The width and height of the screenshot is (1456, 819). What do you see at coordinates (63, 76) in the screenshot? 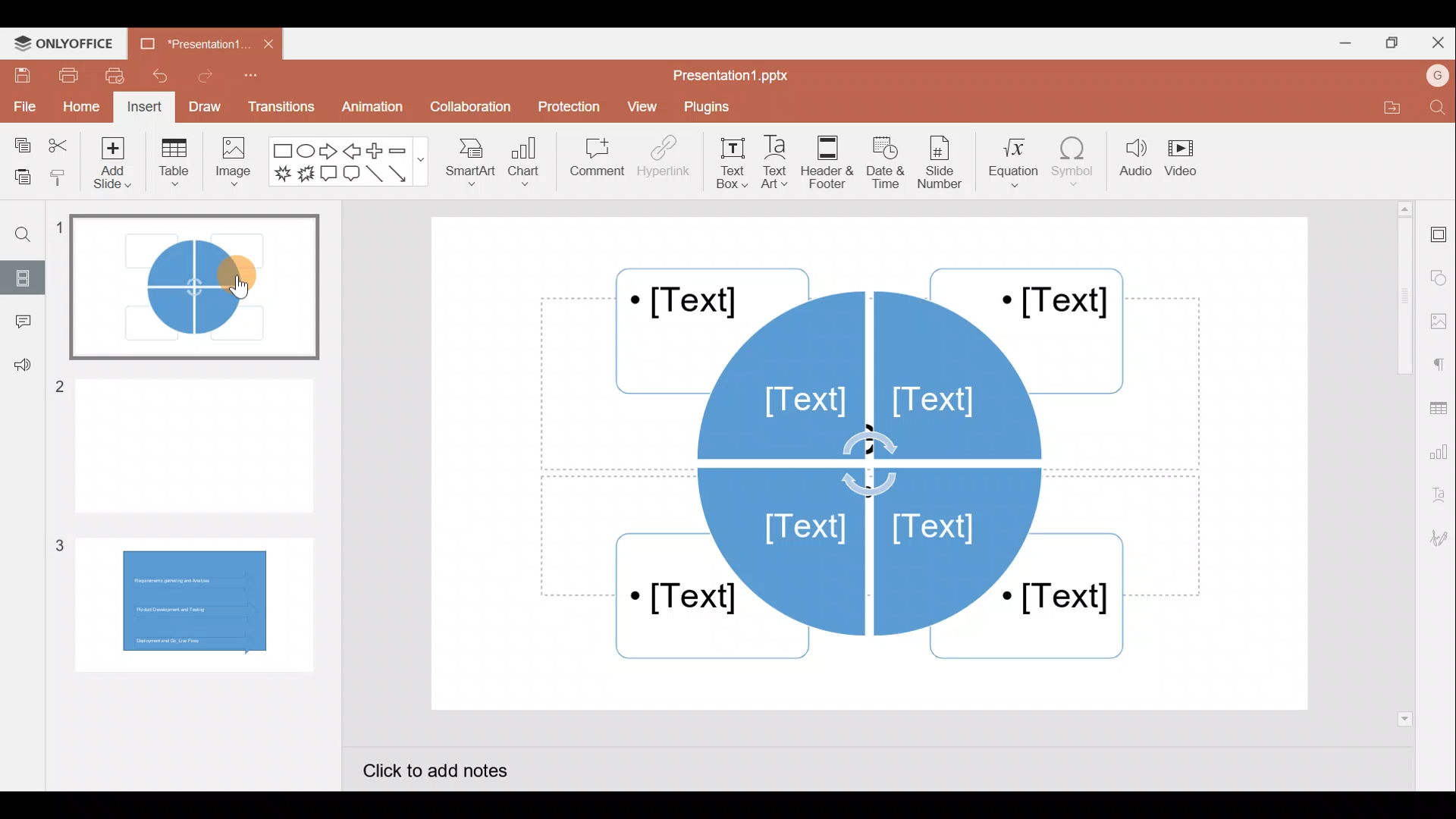
I see `Print file` at bounding box center [63, 76].